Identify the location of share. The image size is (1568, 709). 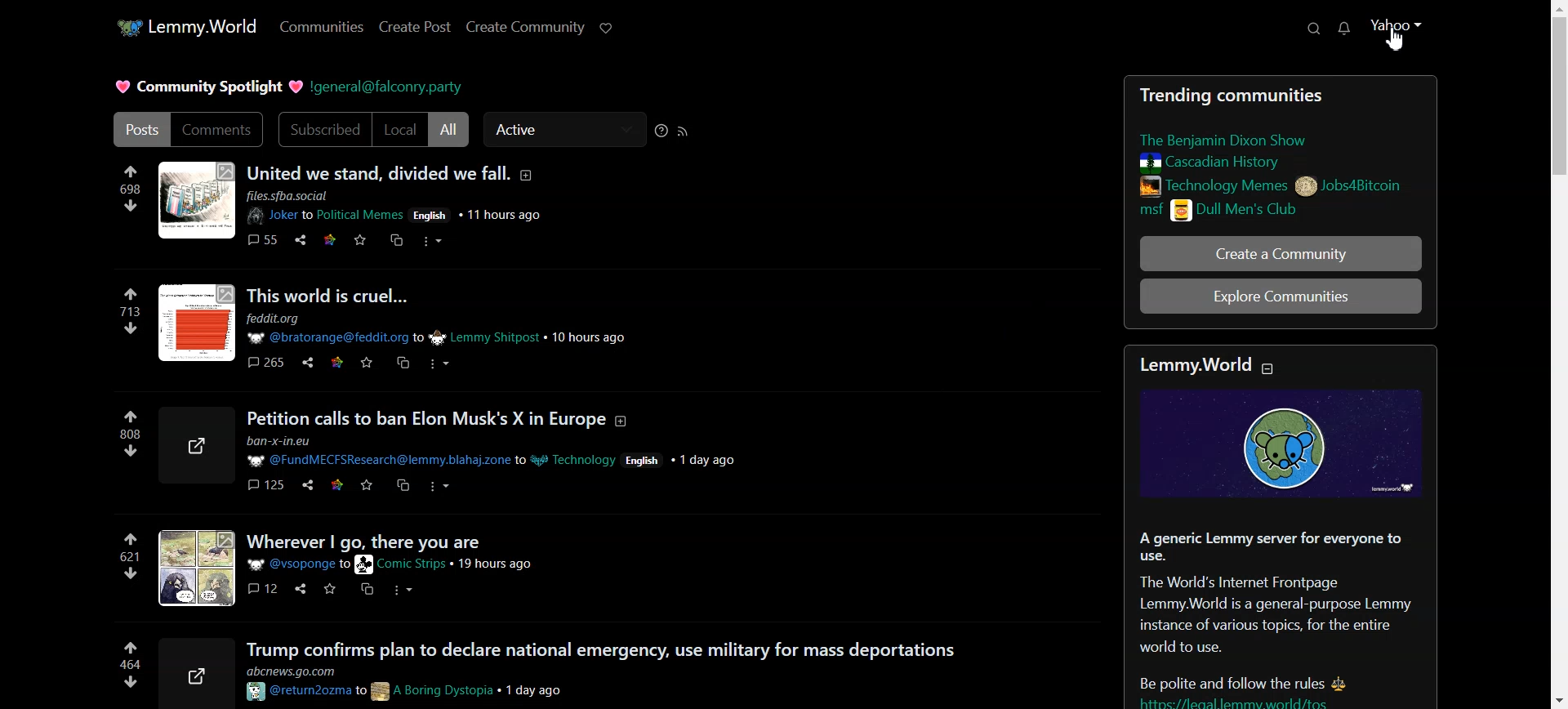
(197, 671).